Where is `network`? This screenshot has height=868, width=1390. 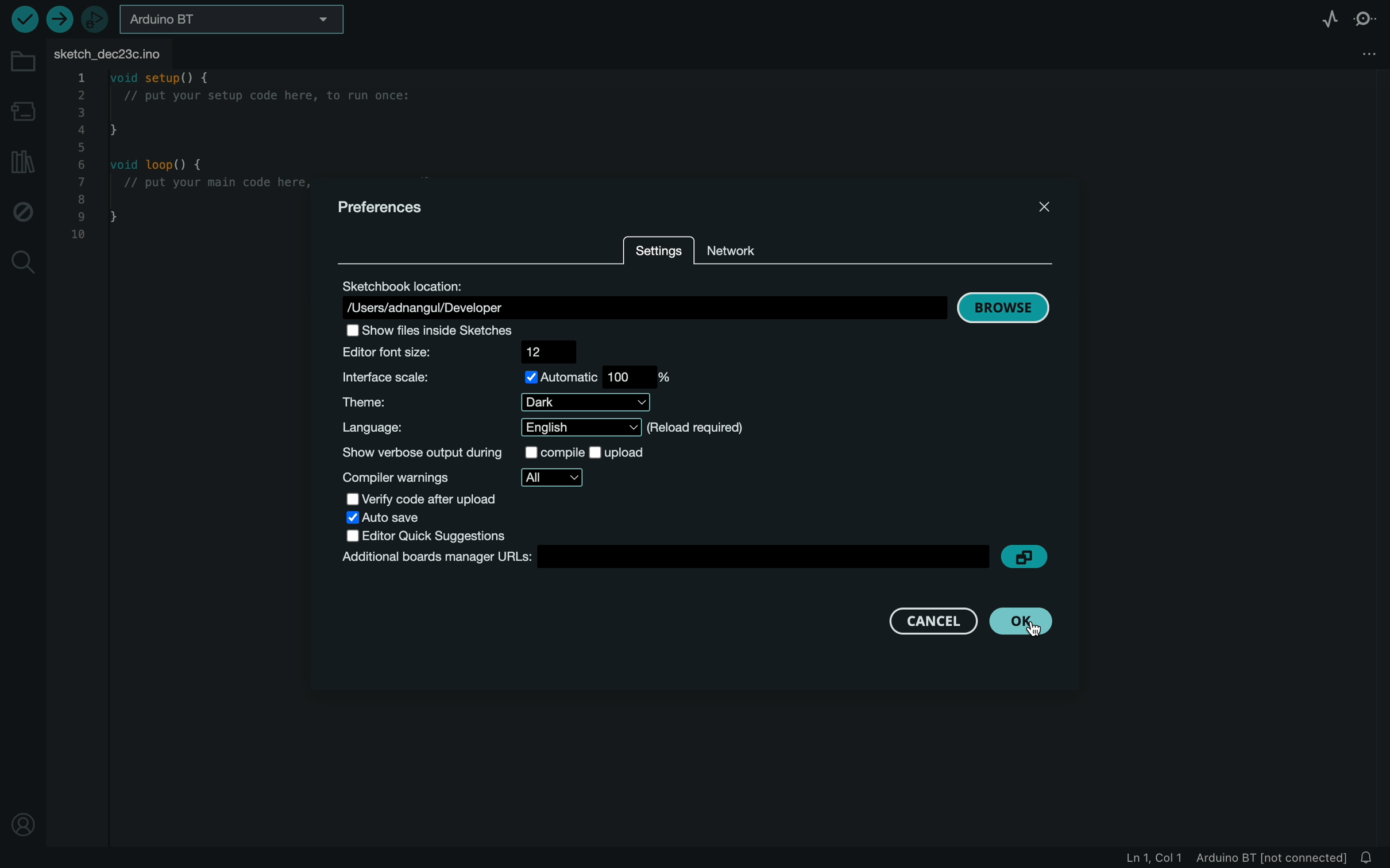
network is located at coordinates (804, 249).